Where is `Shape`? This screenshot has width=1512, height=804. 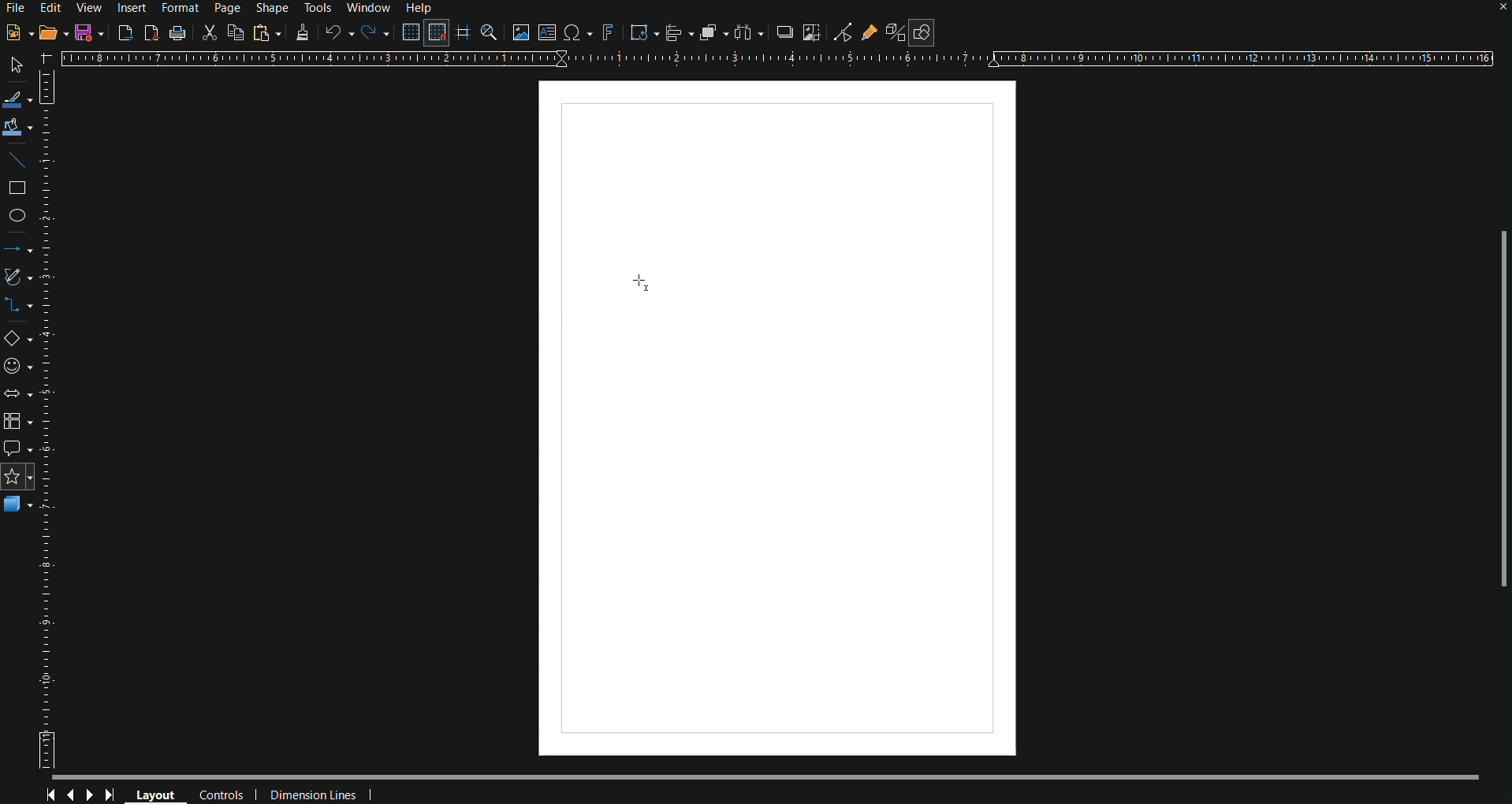 Shape is located at coordinates (267, 7).